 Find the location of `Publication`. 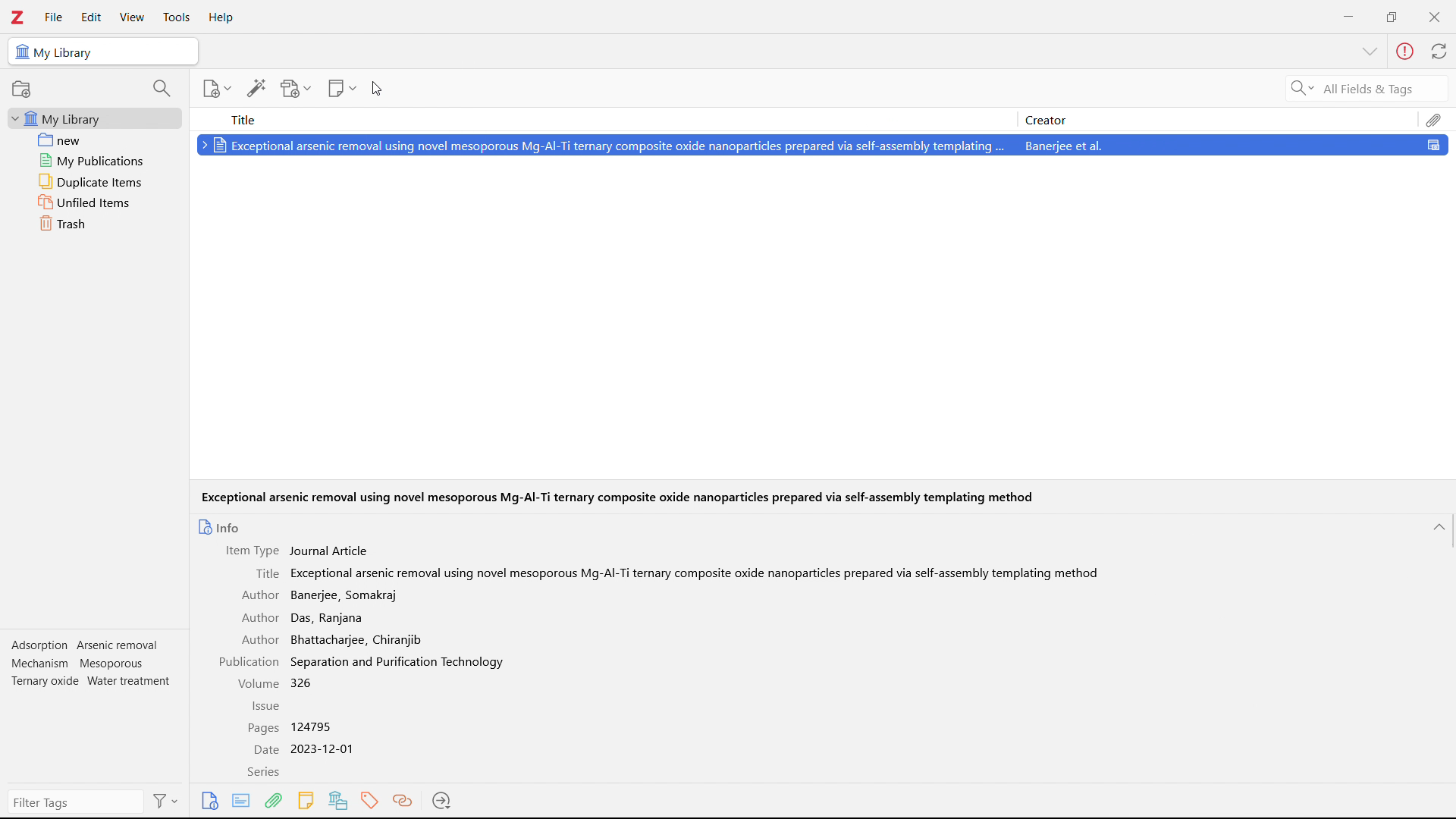

Publication is located at coordinates (250, 662).